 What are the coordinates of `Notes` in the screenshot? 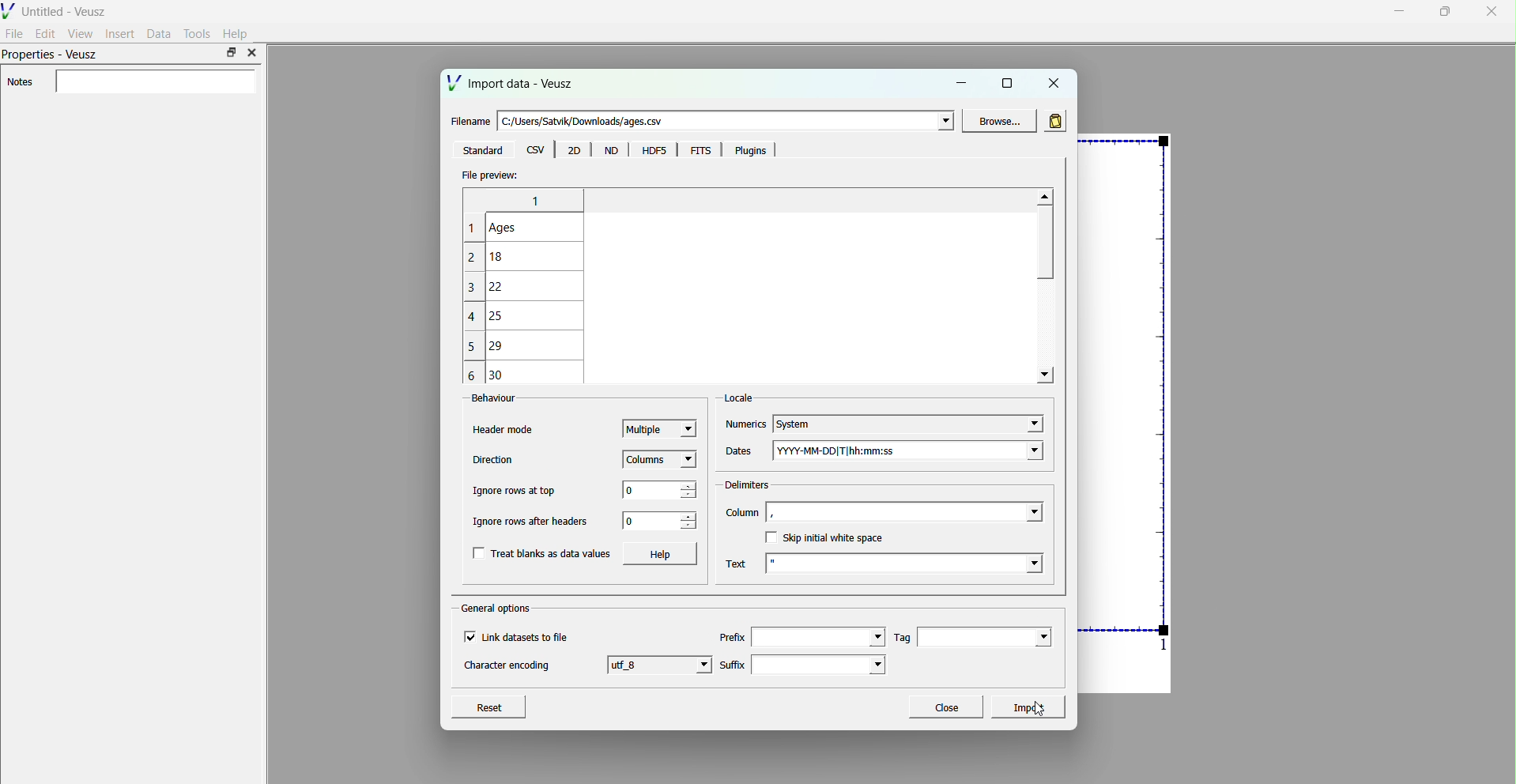 It's located at (20, 82).